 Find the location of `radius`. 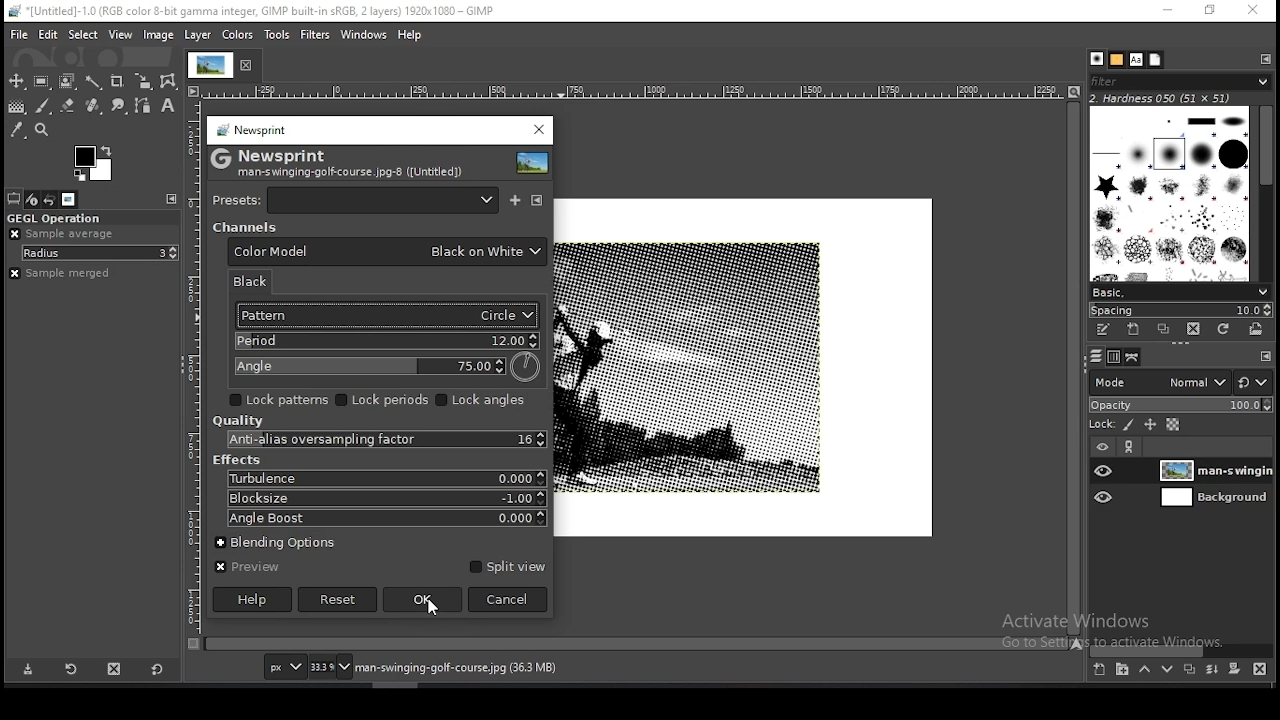

radius is located at coordinates (99, 253).